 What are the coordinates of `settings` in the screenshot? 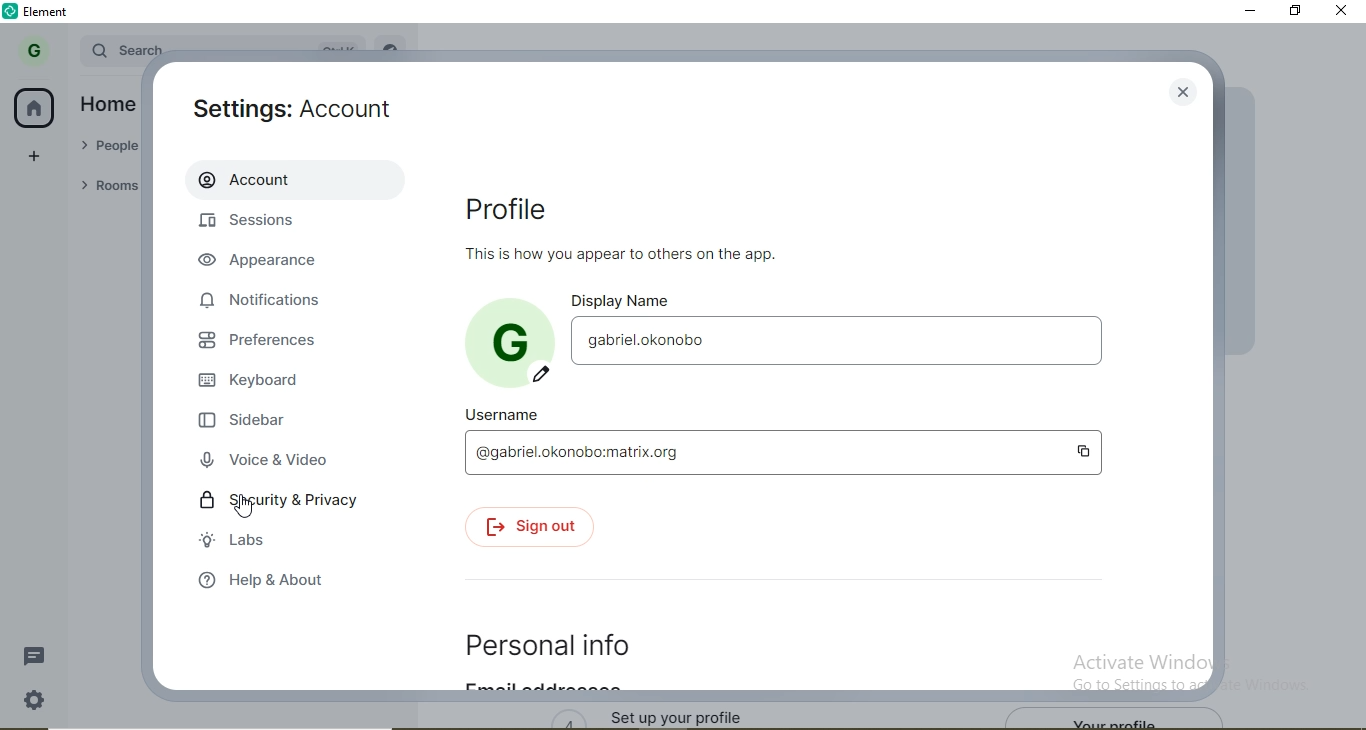 It's located at (36, 697).